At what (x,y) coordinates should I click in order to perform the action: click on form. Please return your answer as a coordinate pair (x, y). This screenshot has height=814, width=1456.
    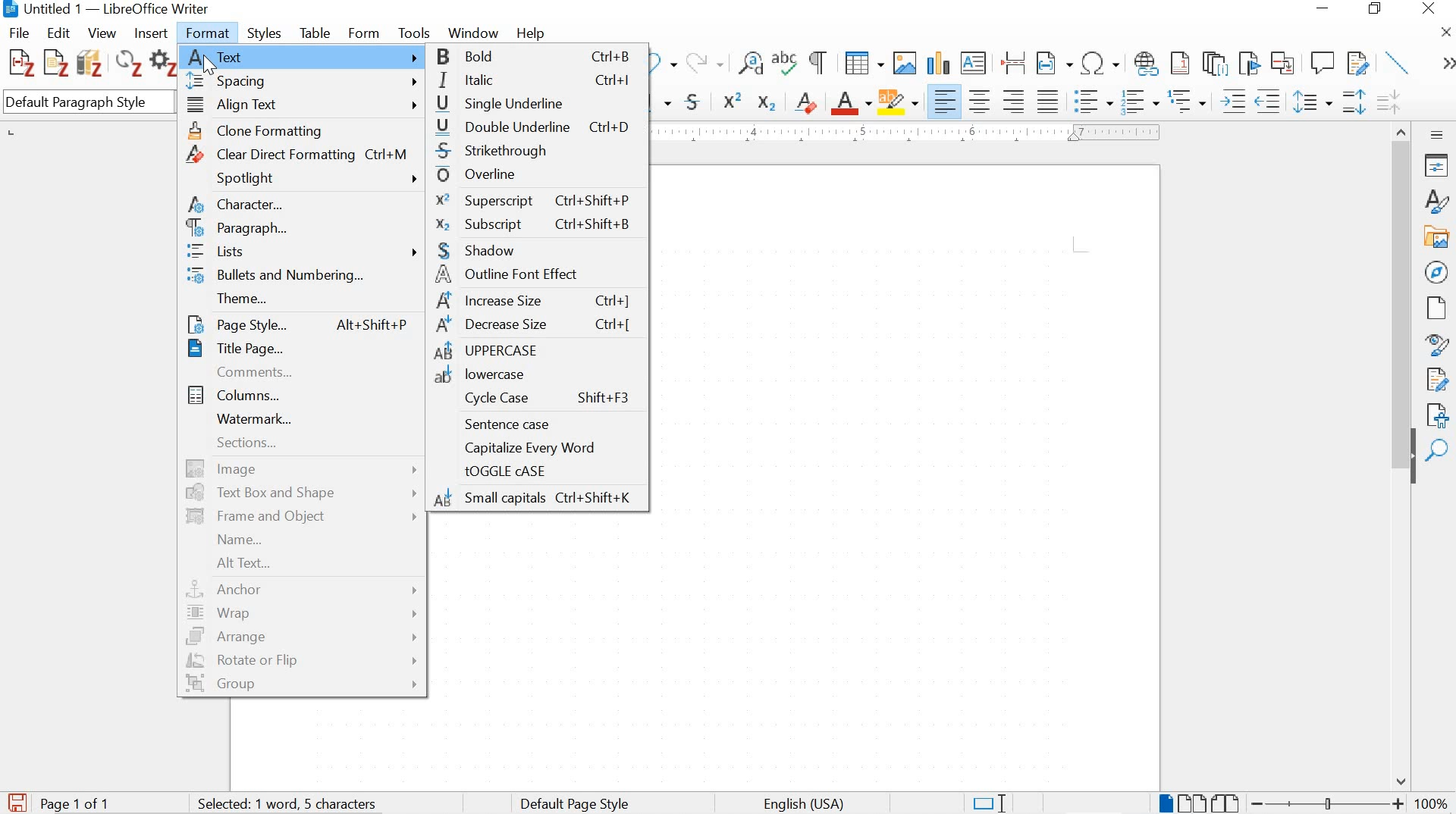
    Looking at the image, I should click on (366, 31).